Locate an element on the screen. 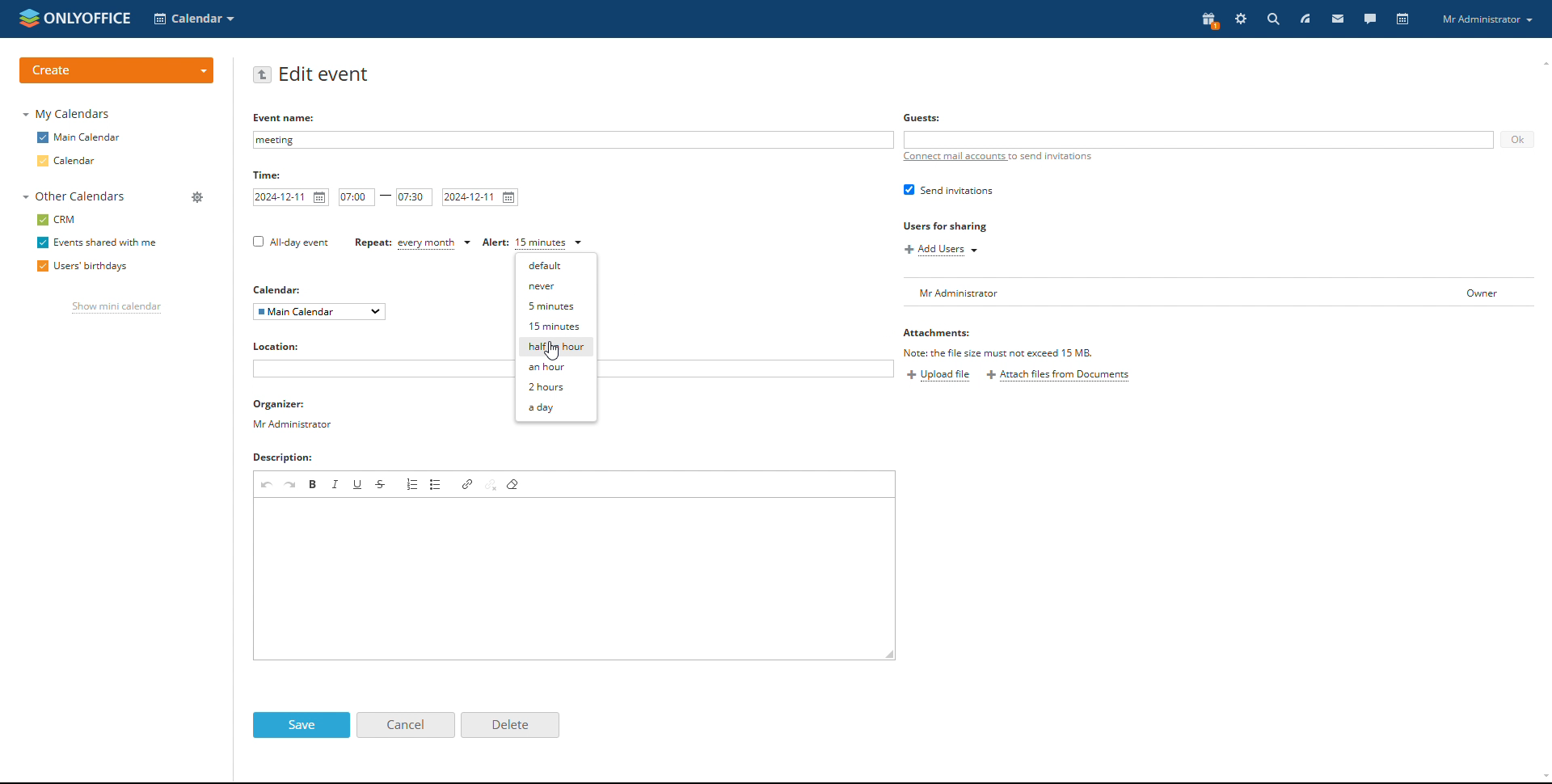 The image size is (1552, 784). mail is located at coordinates (1338, 19).